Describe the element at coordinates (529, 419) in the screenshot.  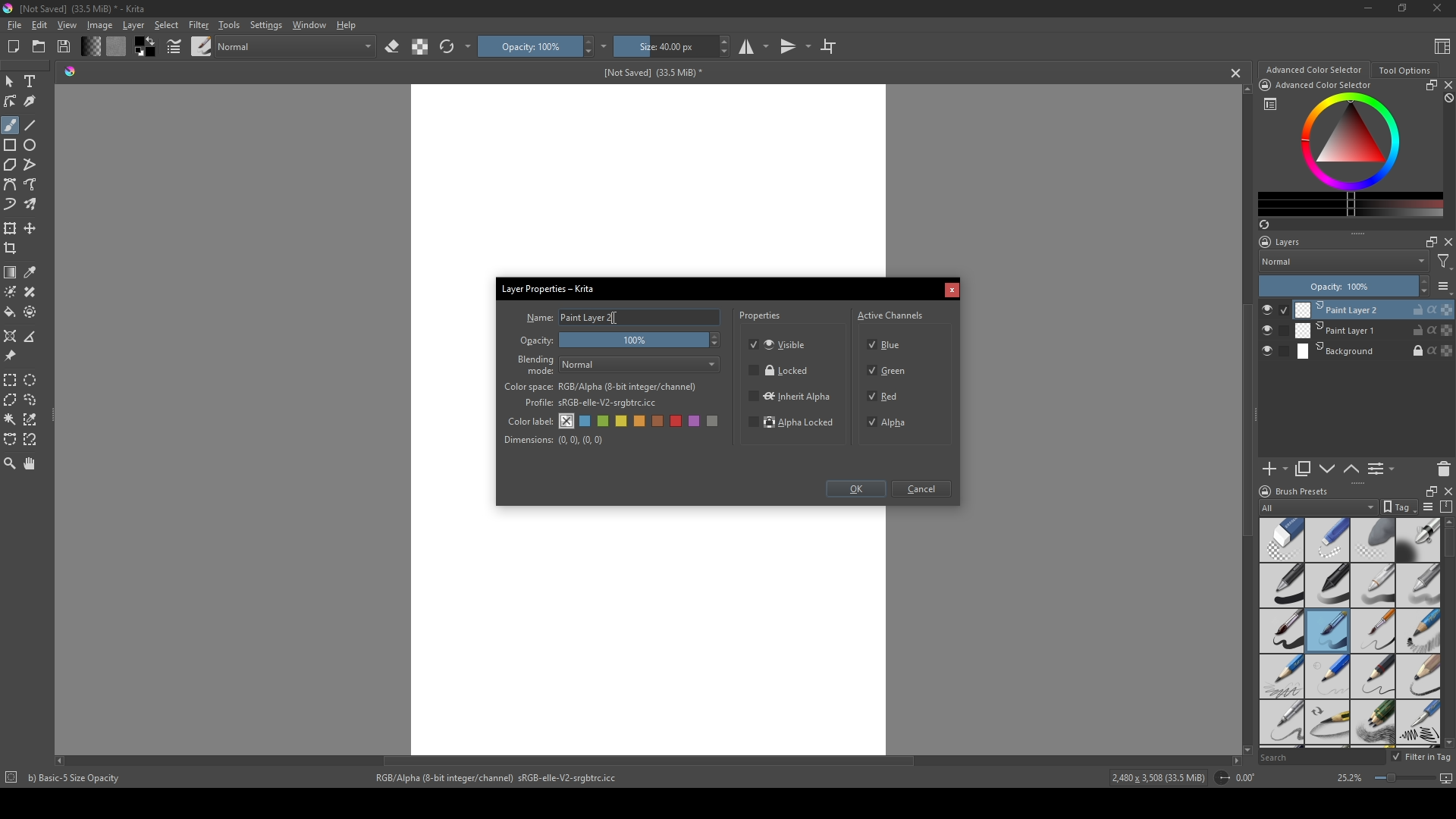
I see `Color label` at that location.